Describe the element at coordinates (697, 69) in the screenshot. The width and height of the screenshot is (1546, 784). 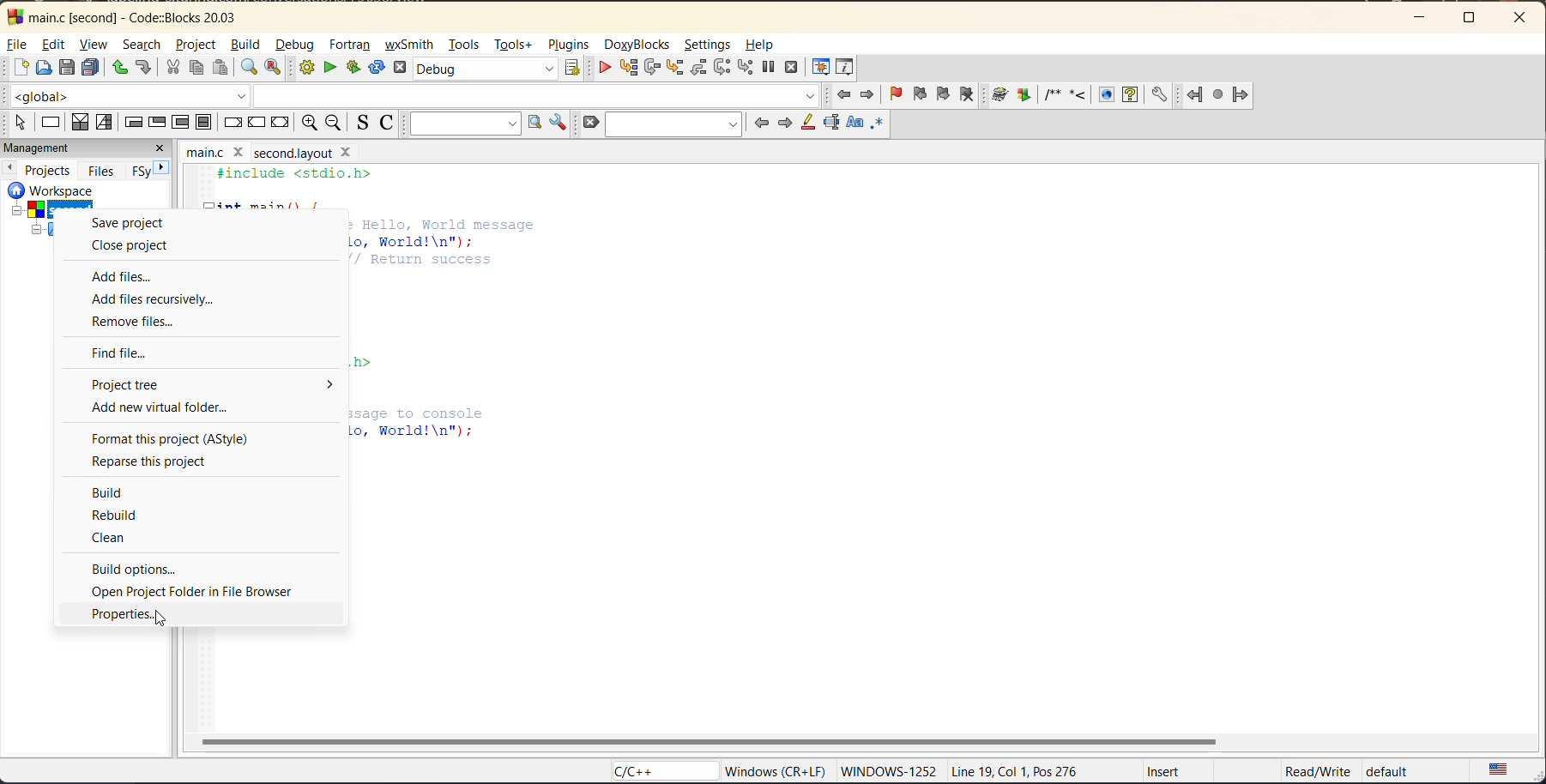
I see `step out` at that location.